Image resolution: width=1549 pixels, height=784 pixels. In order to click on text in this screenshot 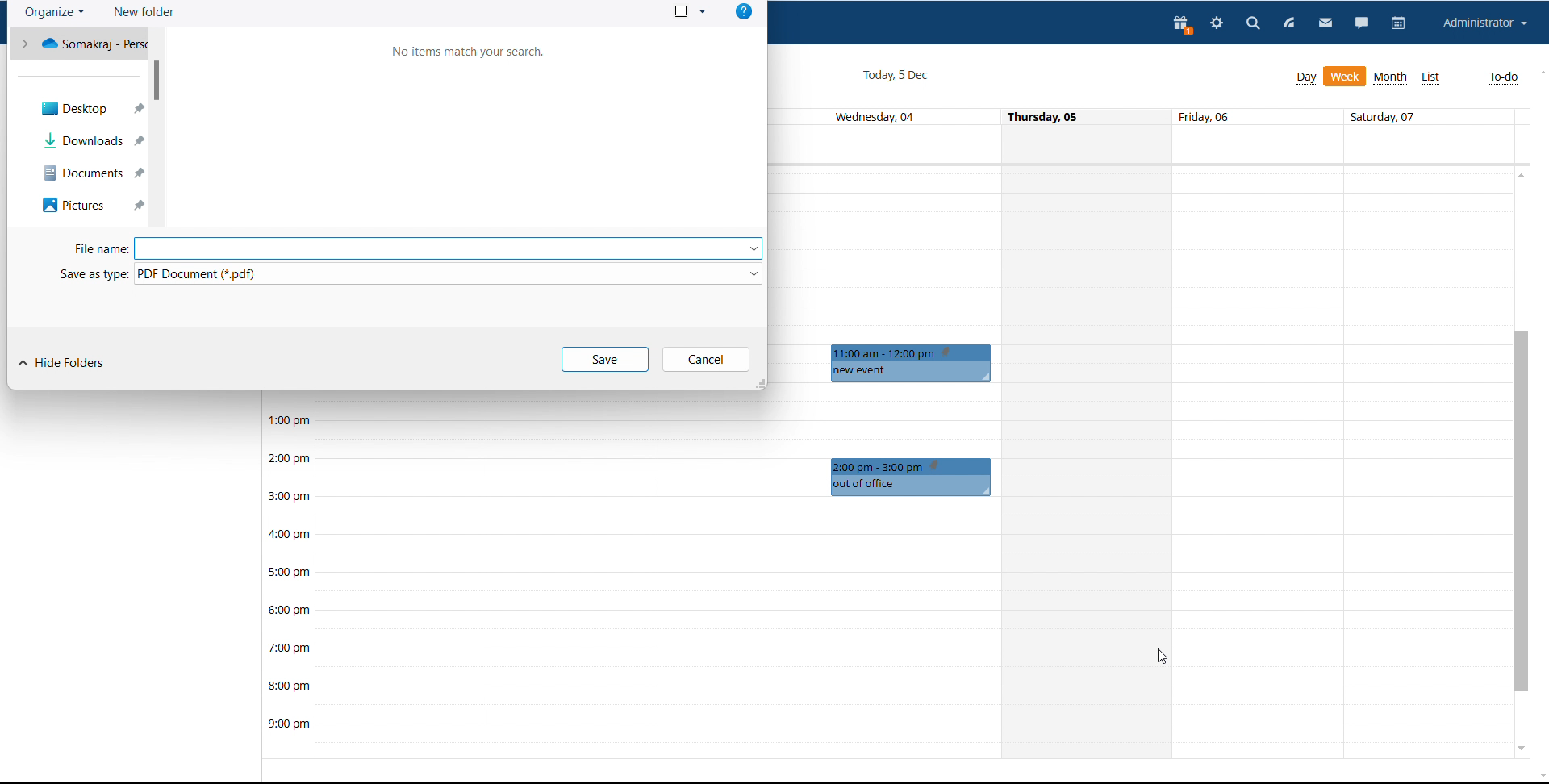, I will do `click(465, 54)`.